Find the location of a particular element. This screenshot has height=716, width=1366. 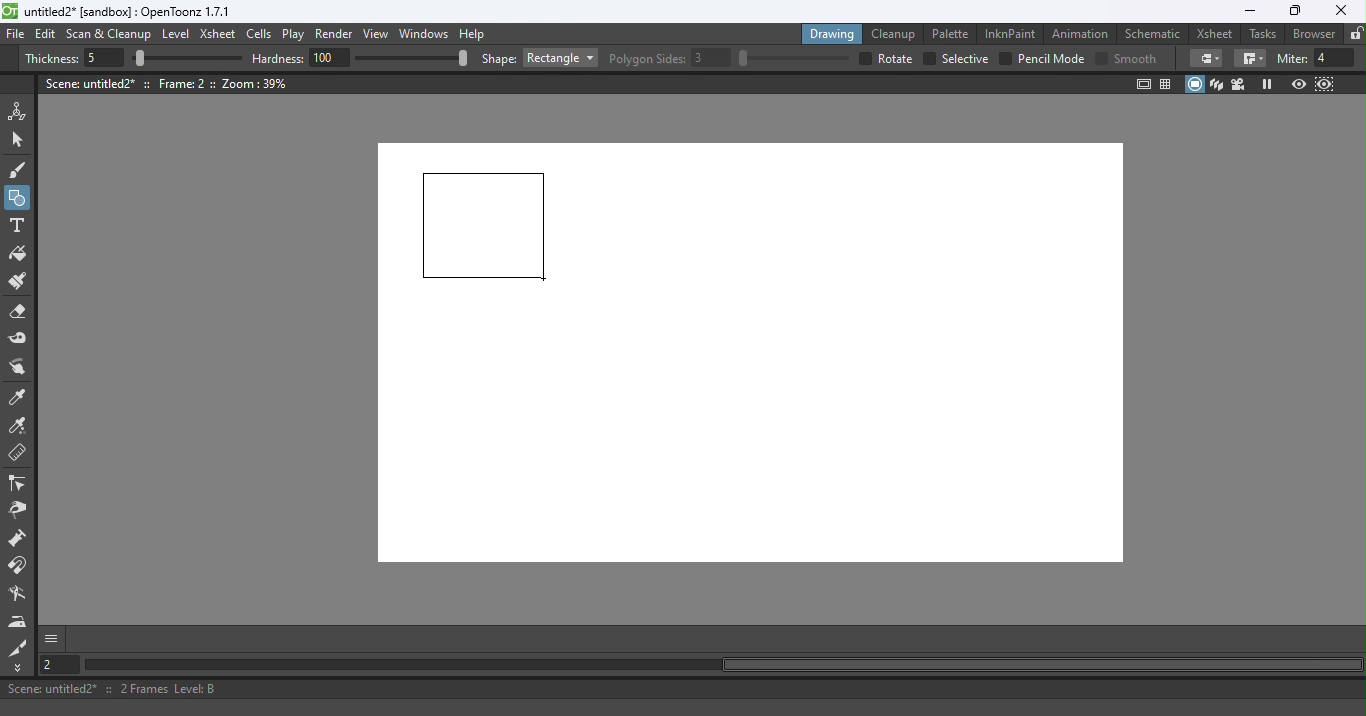

Play is located at coordinates (297, 35).